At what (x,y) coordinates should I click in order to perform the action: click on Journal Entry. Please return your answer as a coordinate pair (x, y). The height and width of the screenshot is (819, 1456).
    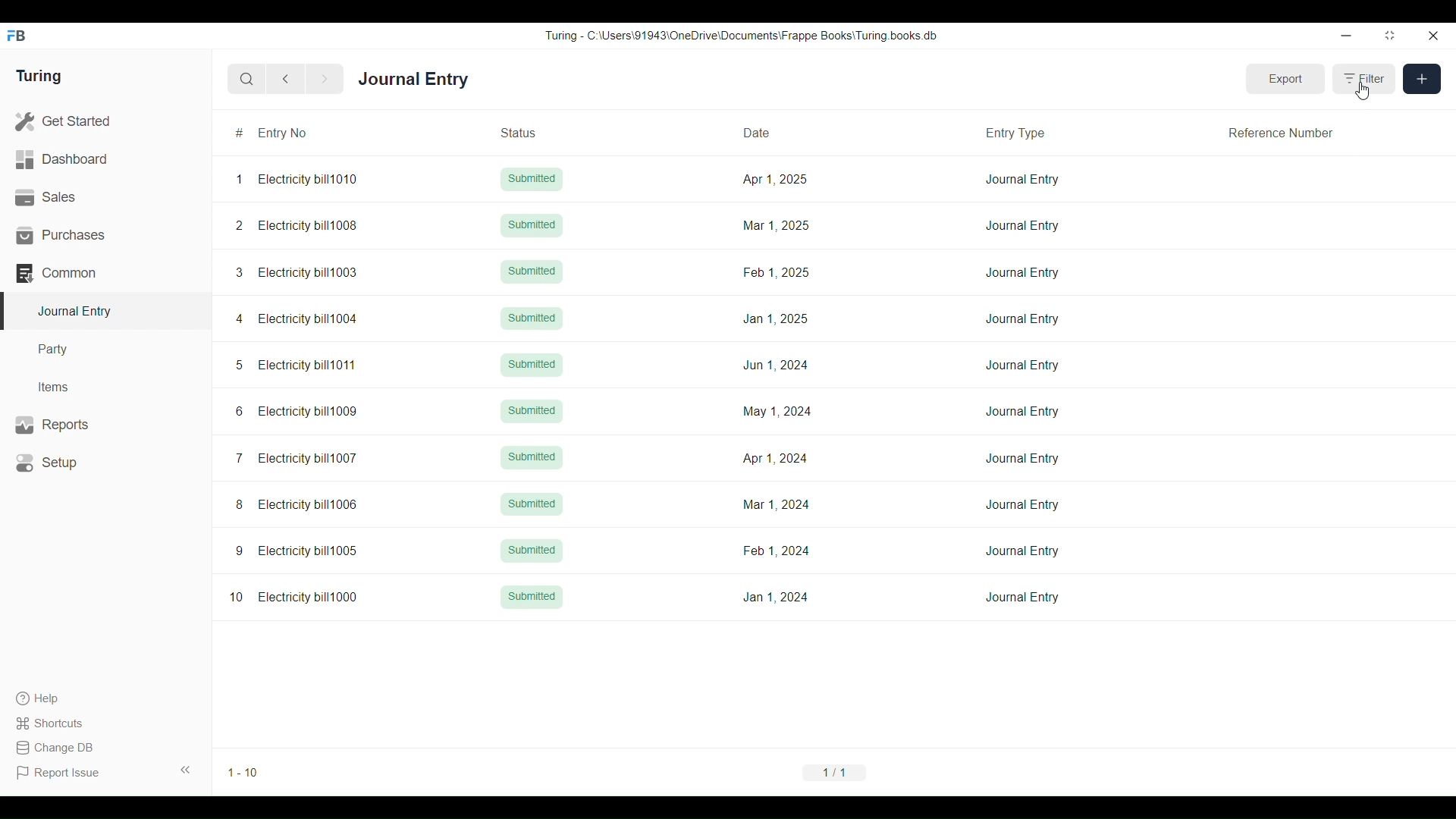
    Looking at the image, I should click on (1023, 412).